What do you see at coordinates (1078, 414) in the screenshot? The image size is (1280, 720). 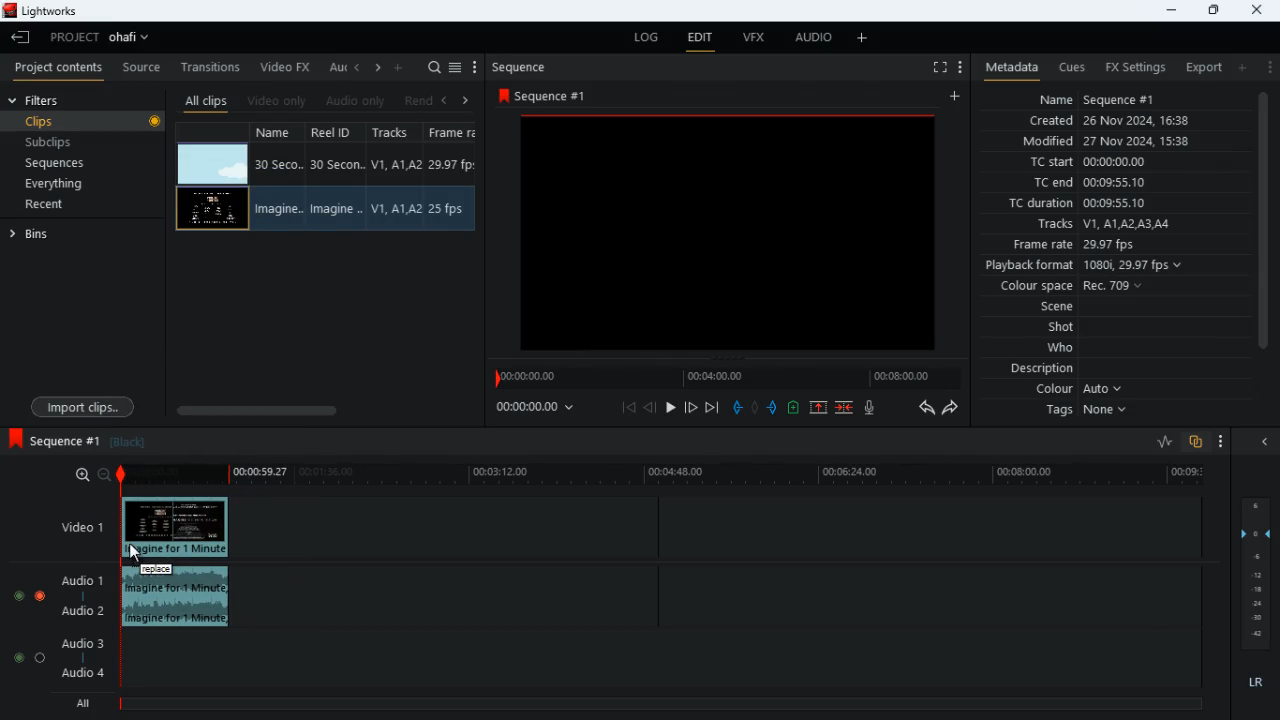 I see `tags` at bounding box center [1078, 414].